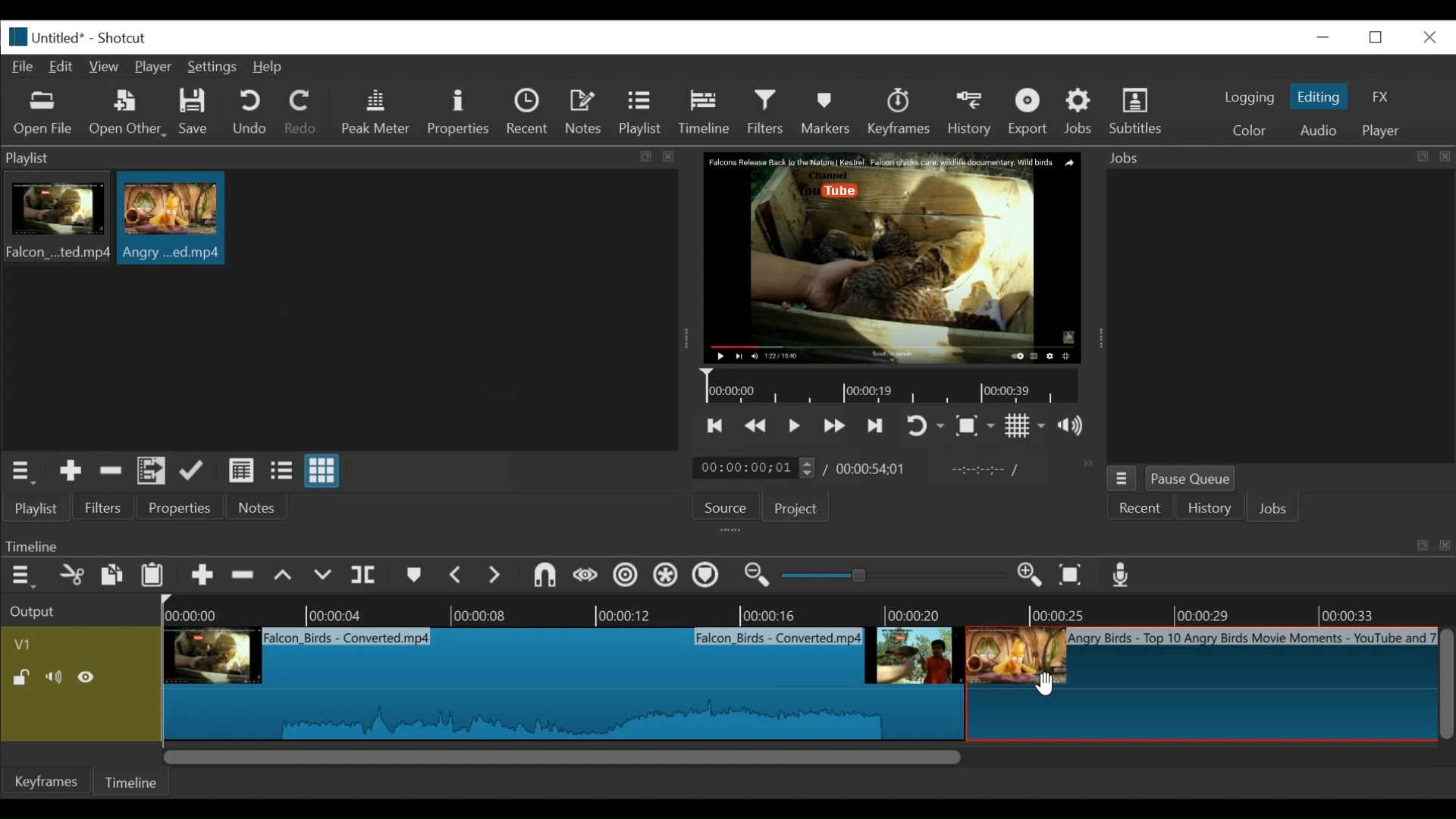 Image resolution: width=1456 pixels, height=819 pixels. What do you see at coordinates (69, 473) in the screenshot?
I see `Add the source to the playlist` at bounding box center [69, 473].